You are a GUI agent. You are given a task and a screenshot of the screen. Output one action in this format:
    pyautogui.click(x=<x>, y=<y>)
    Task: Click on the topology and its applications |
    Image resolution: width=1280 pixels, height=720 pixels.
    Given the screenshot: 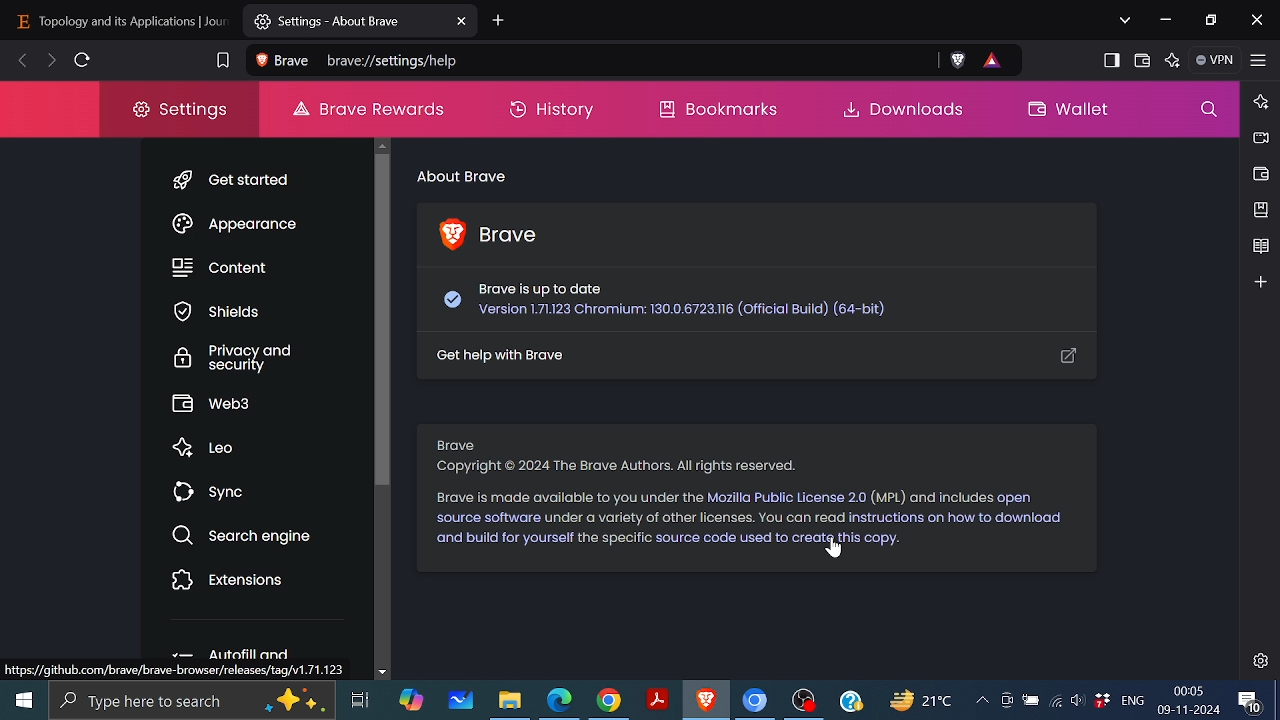 What is the action you would take?
    pyautogui.click(x=113, y=22)
    